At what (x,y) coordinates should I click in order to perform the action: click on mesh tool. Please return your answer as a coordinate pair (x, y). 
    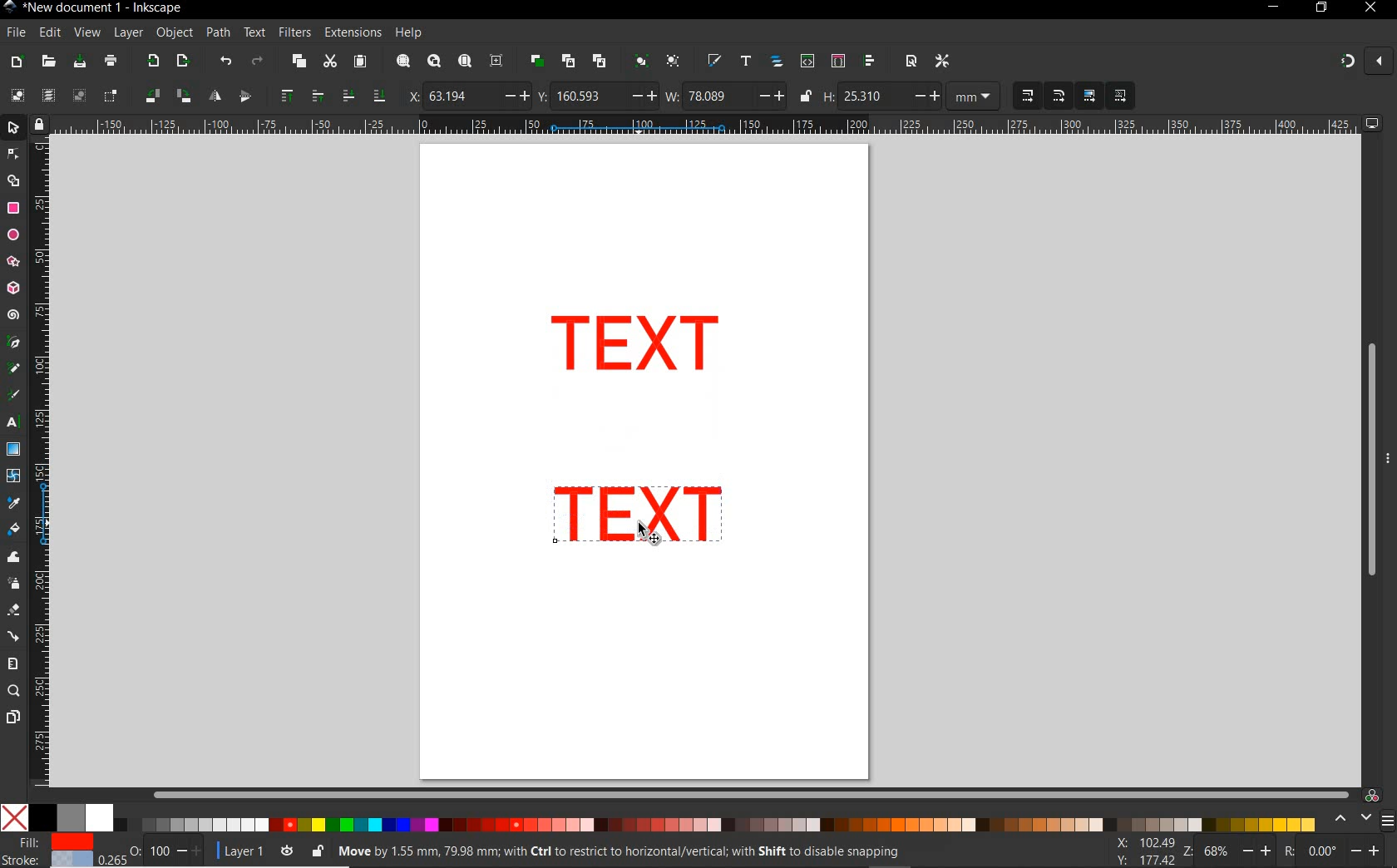
    Looking at the image, I should click on (14, 478).